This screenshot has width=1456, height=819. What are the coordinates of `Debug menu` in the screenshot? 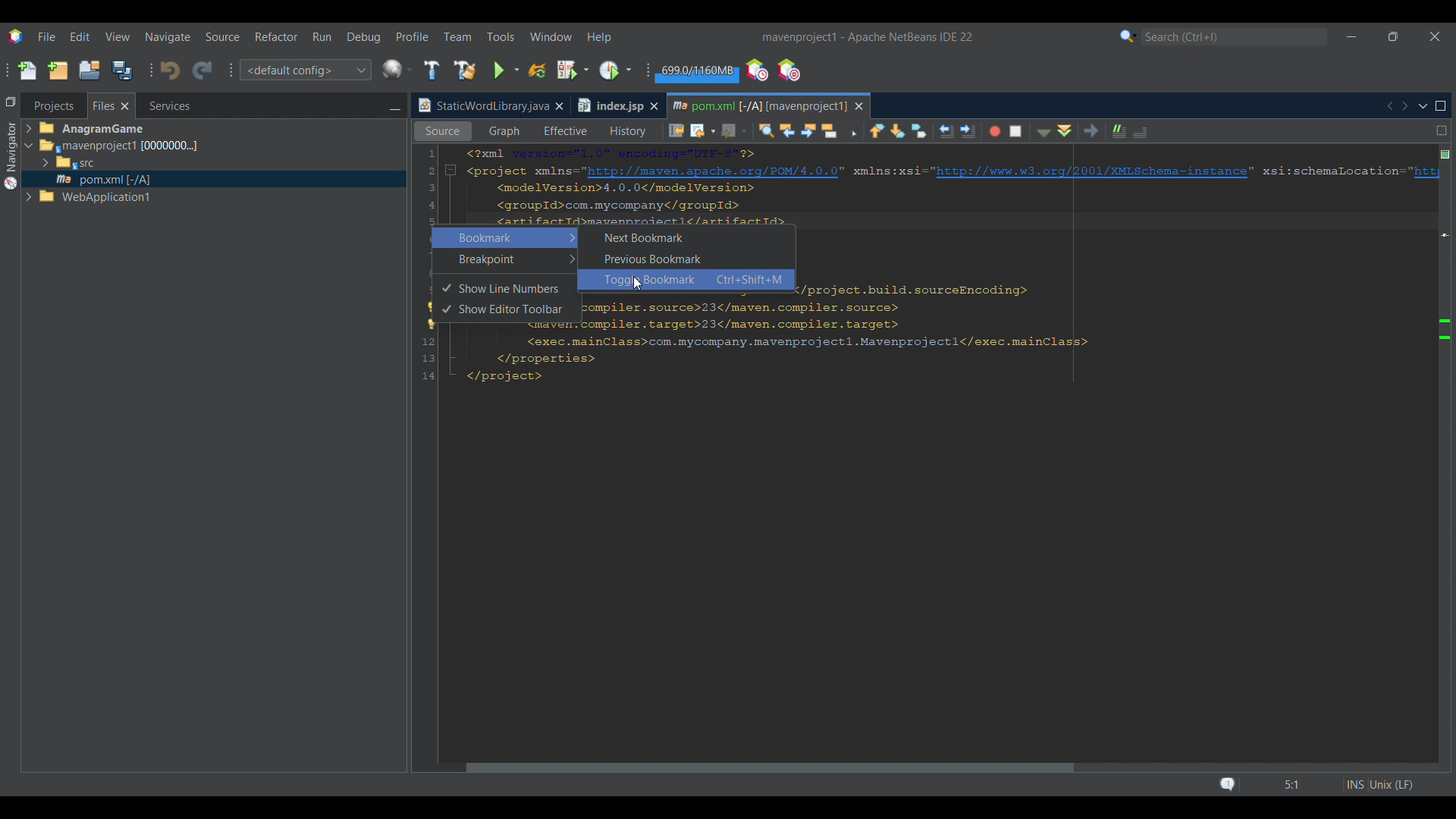 It's located at (364, 37).